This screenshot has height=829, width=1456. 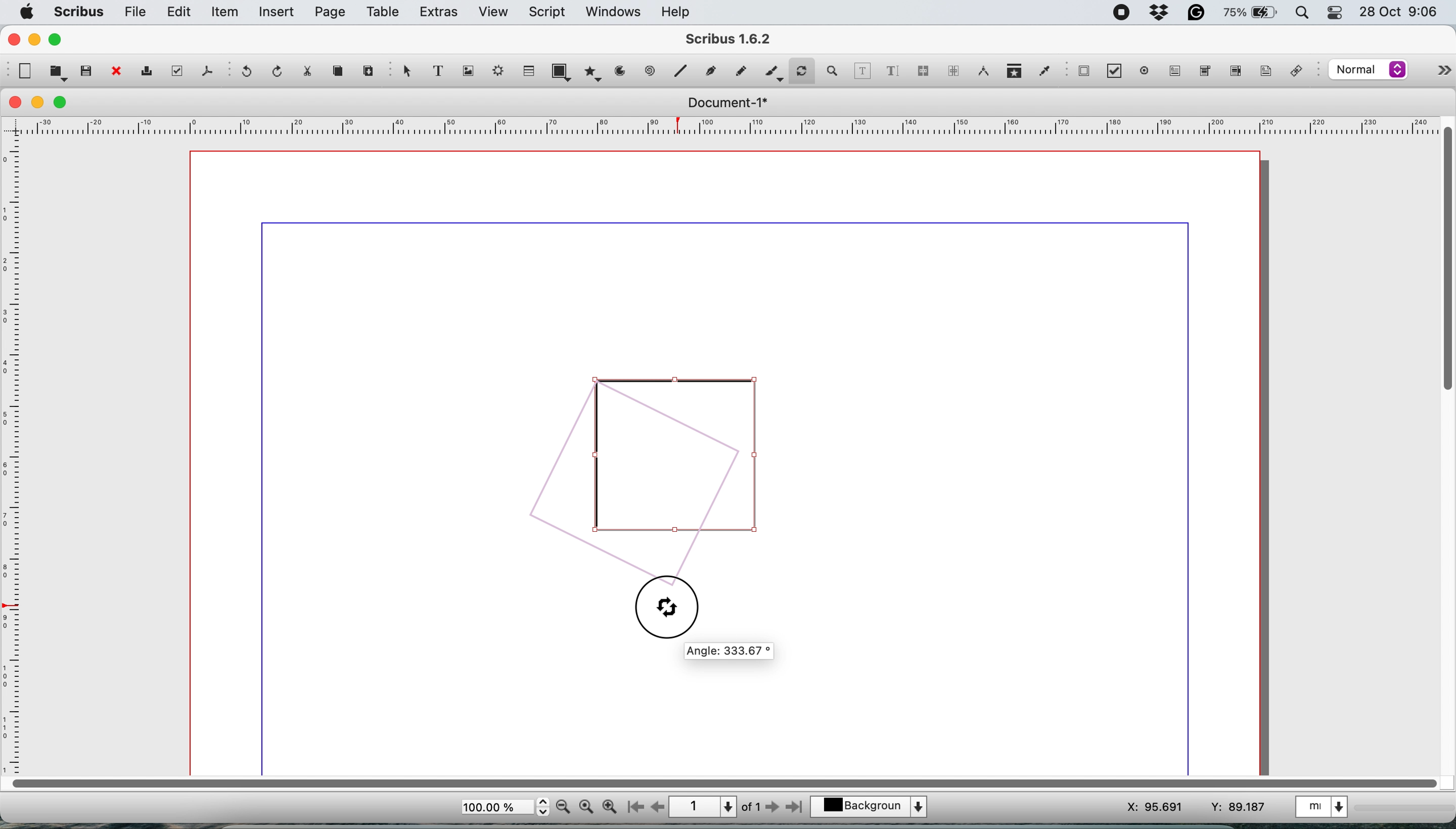 What do you see at coordinates (1265, 72) in the screenshot?
I see `text annotation` at bounding box center [1265, 72].